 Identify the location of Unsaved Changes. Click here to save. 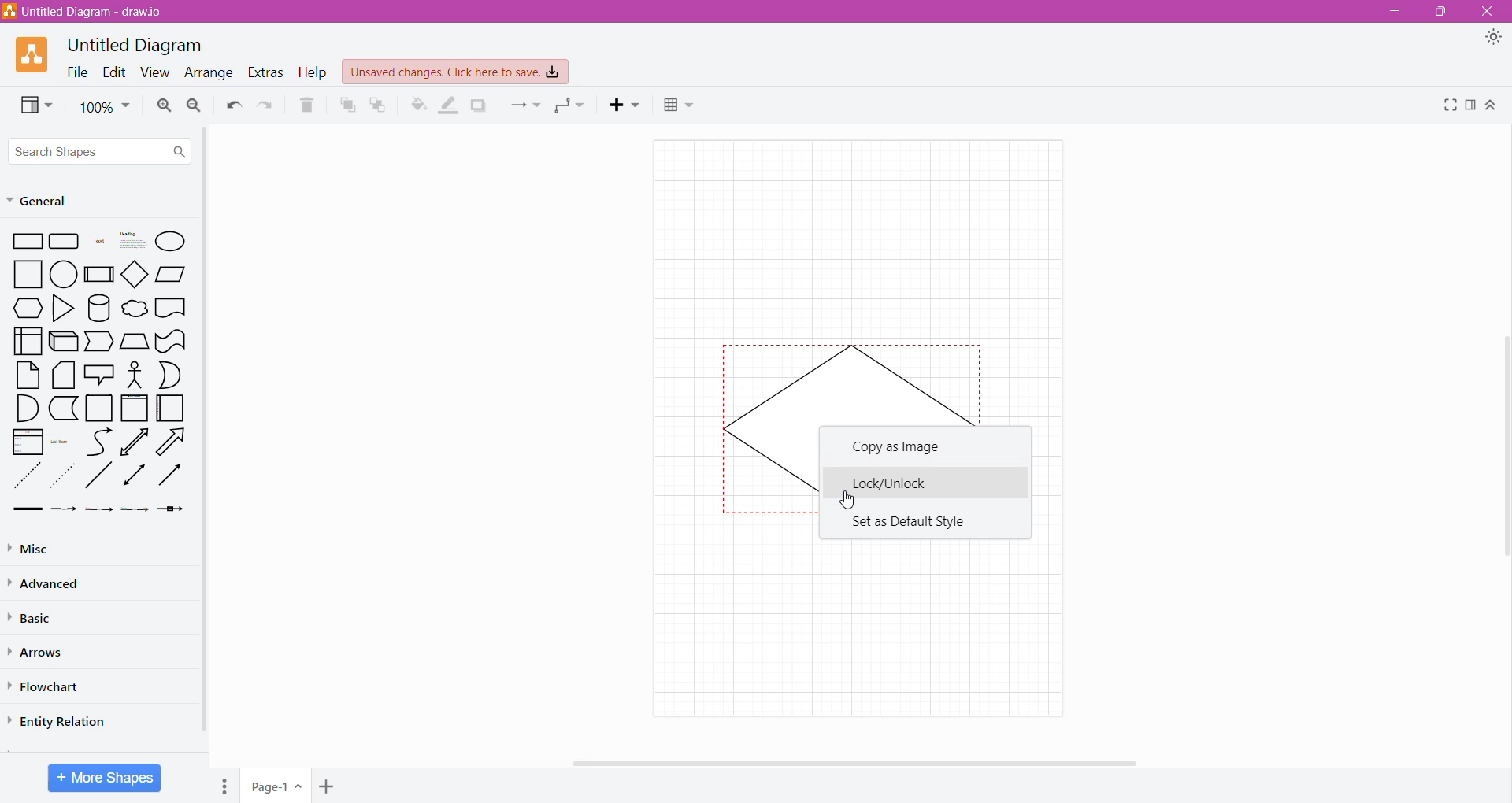
(456, 72).